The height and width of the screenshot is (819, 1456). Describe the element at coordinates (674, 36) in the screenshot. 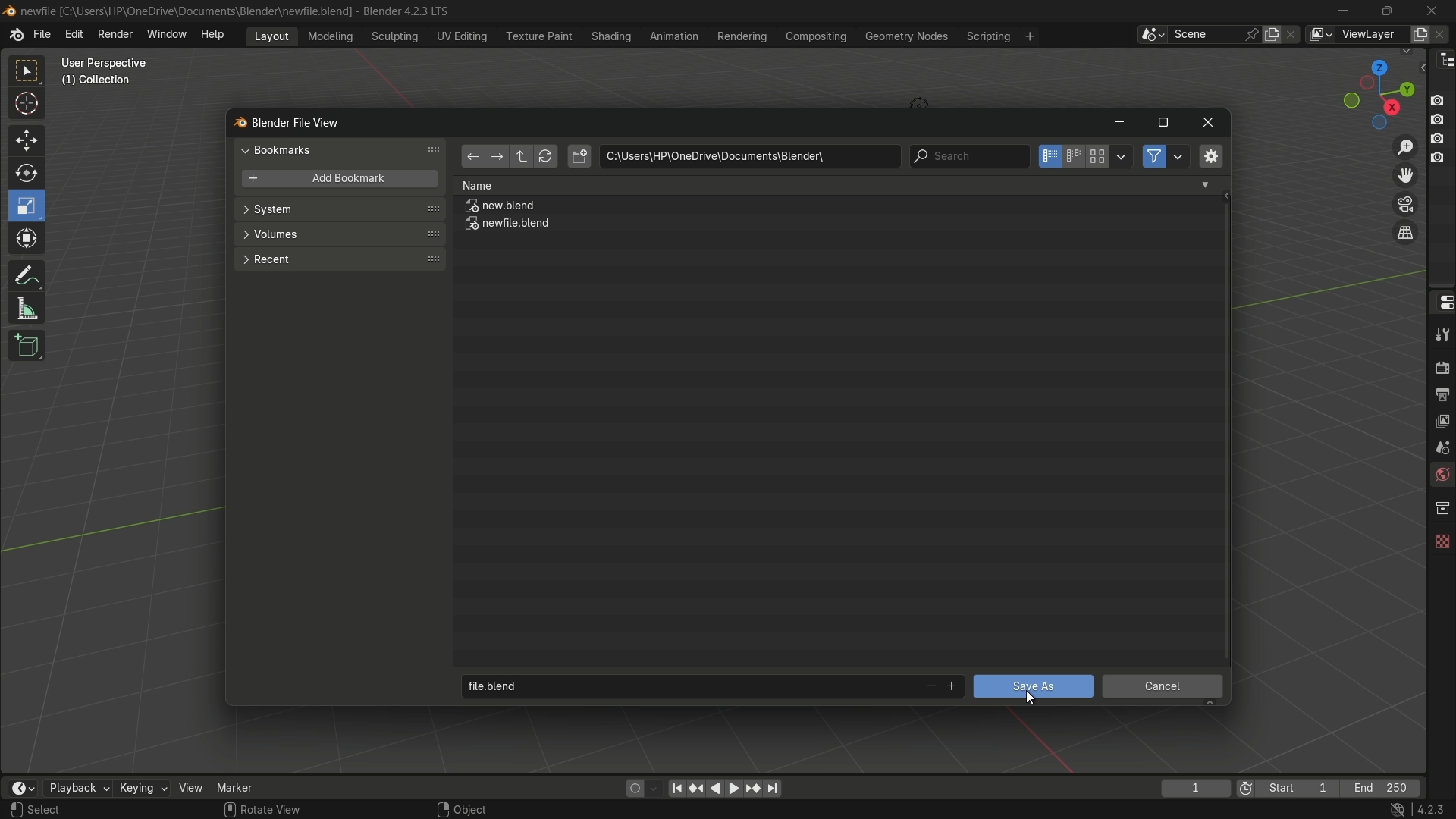

I see `animation menu` at that location.